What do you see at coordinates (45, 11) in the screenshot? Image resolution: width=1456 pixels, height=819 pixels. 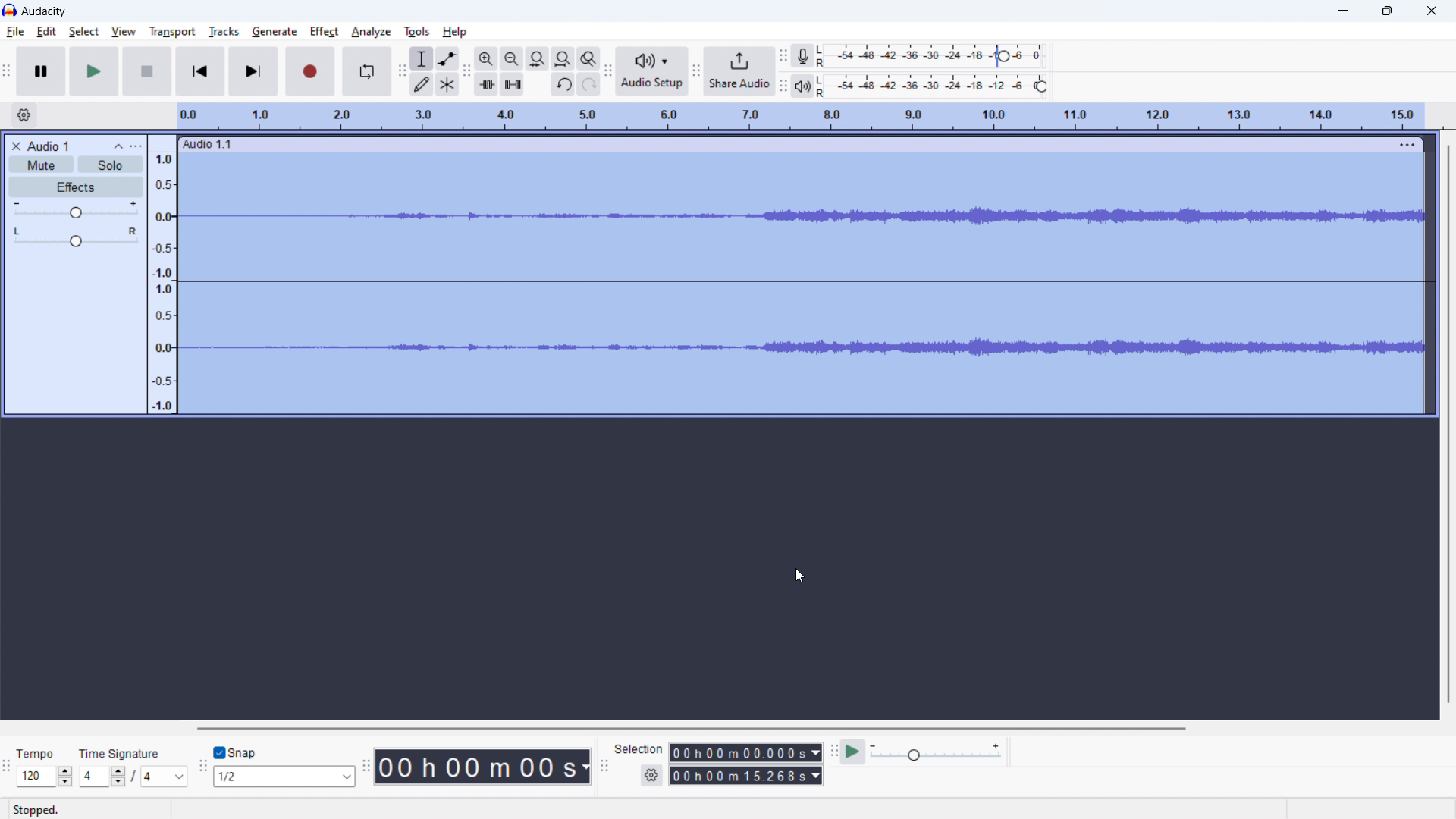 I see `title` at bounding box center [45, 11].